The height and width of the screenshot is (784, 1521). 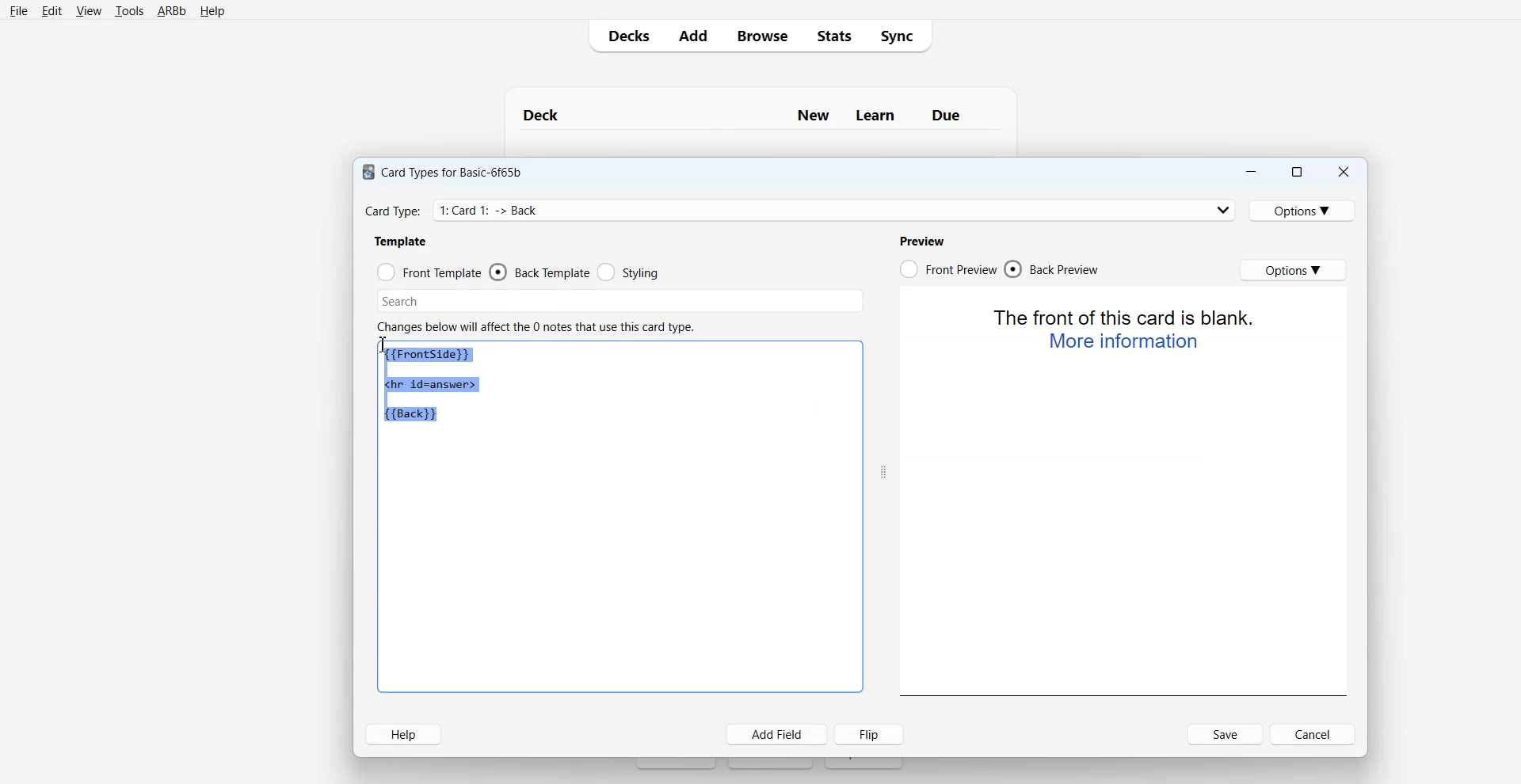 I want to click on Text 2, so click(x=401, y=241).